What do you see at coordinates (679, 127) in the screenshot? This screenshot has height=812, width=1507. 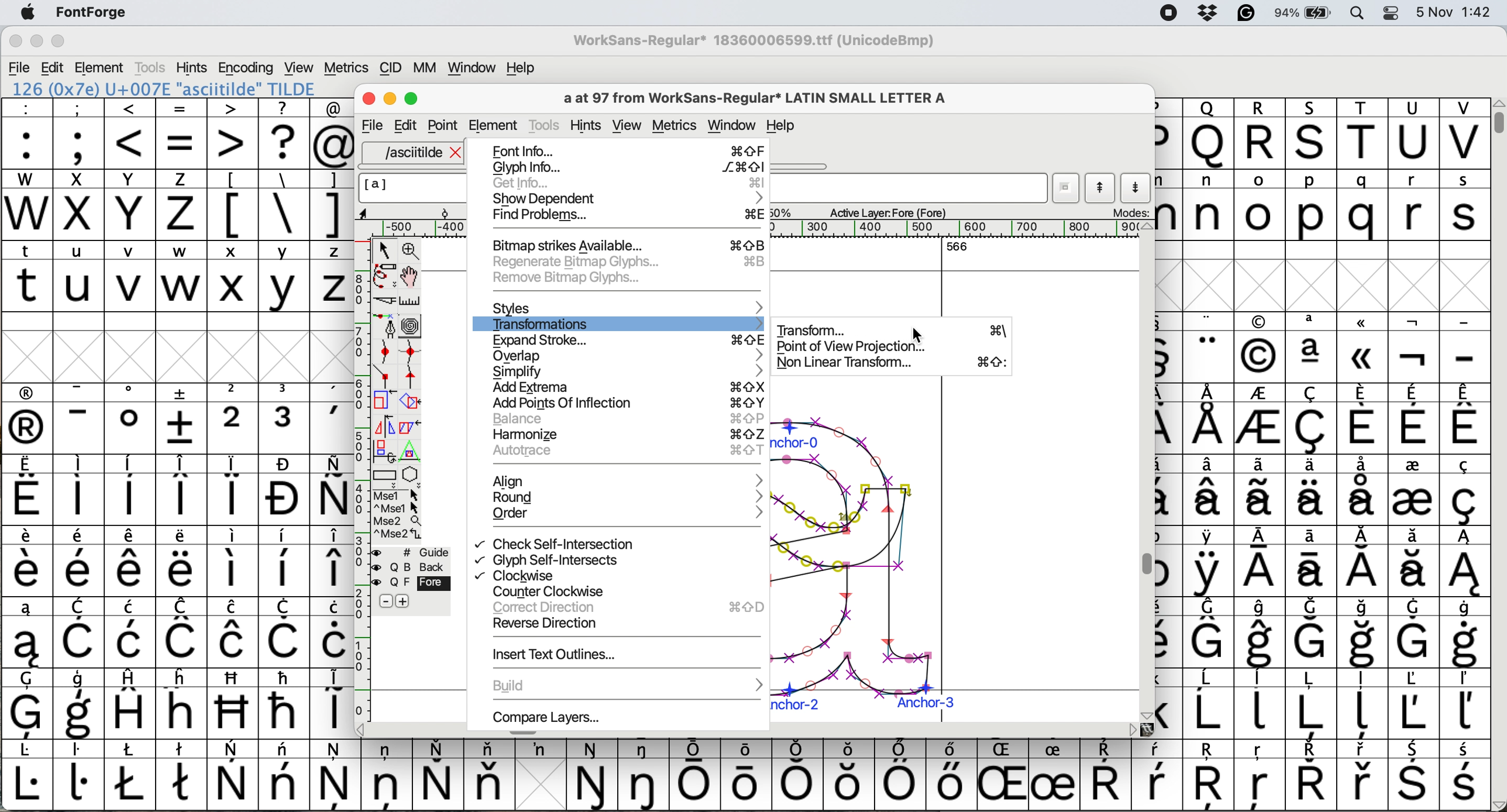 I see `metrics` at bounding box center [679, 127].